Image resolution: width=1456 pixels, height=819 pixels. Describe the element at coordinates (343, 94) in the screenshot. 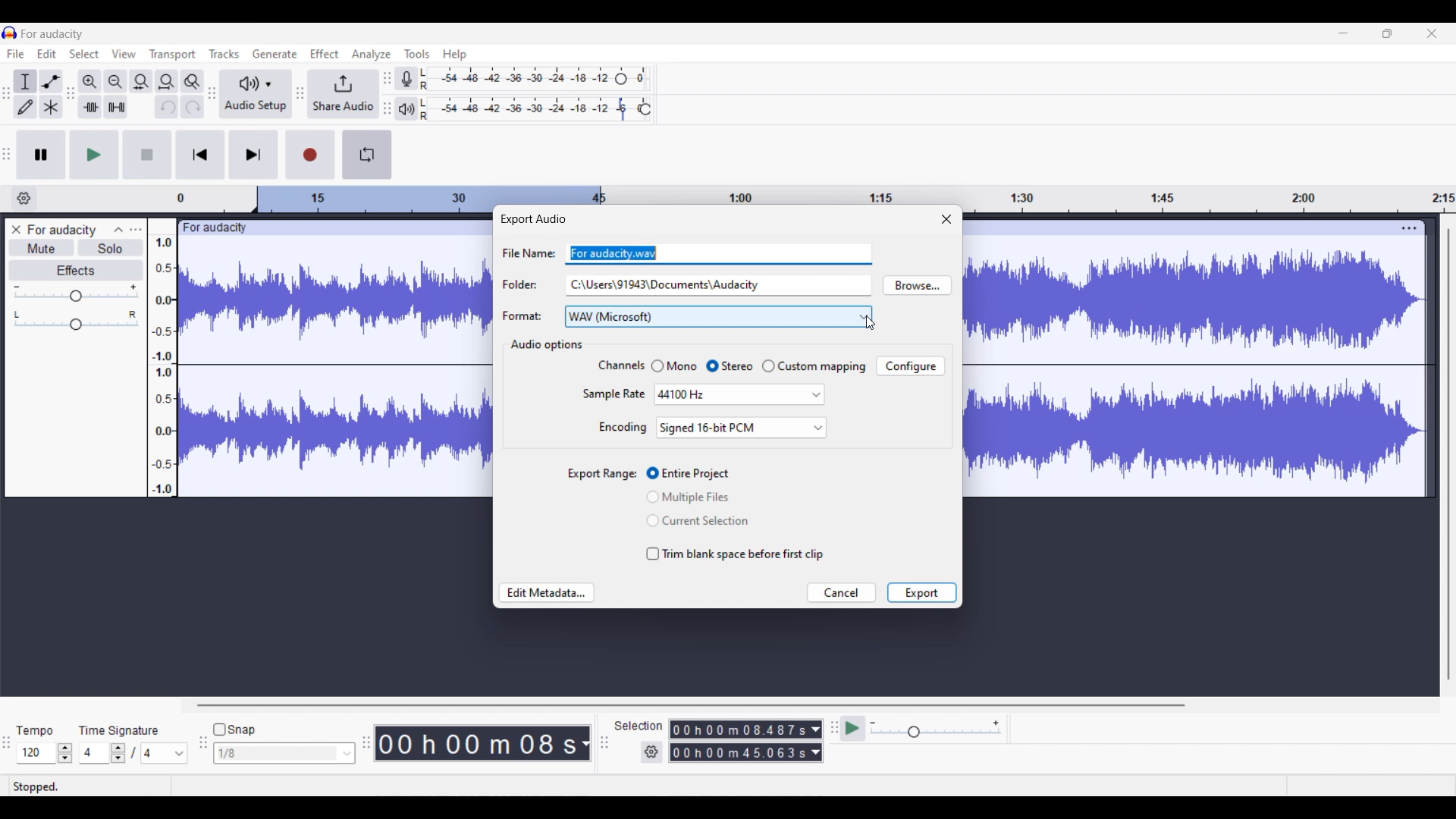

I see `Share audio` at that location.